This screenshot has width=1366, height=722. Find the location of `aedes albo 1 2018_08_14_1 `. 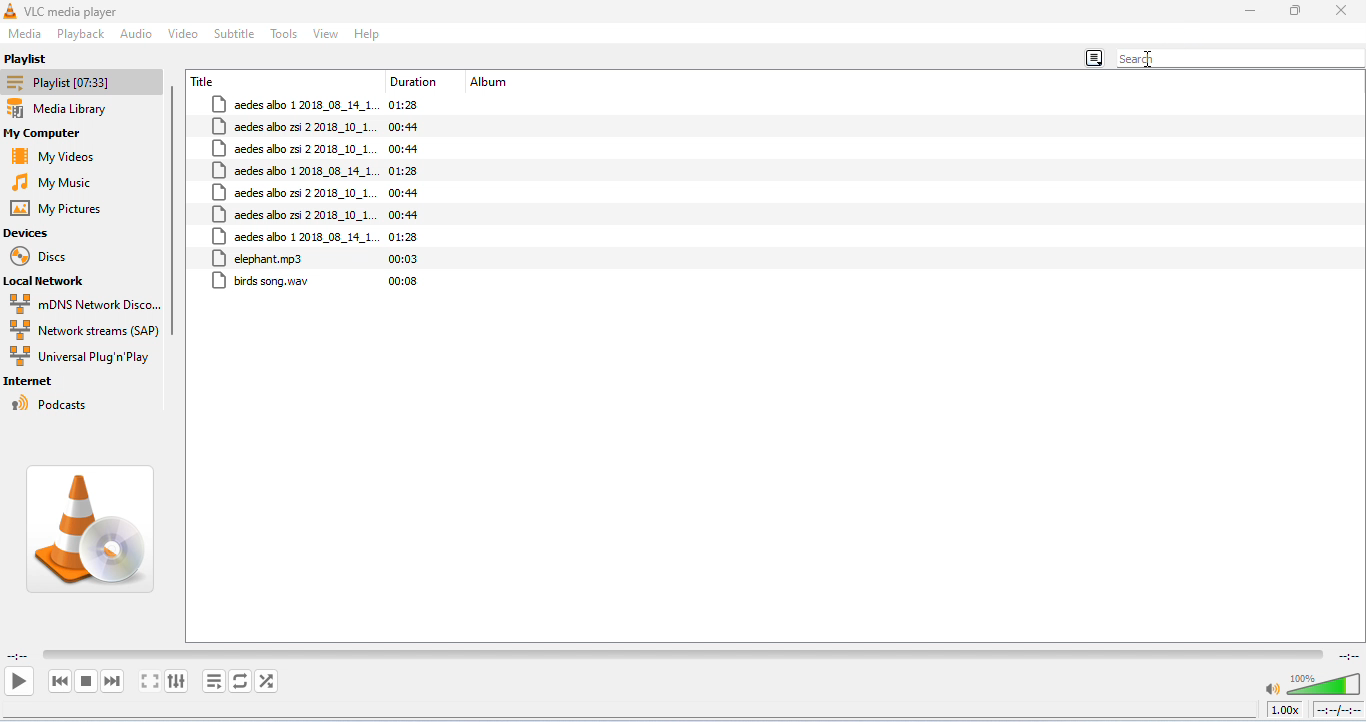

aedes albo 1 2018_08_14_1  is located at coordinates (295, 170).